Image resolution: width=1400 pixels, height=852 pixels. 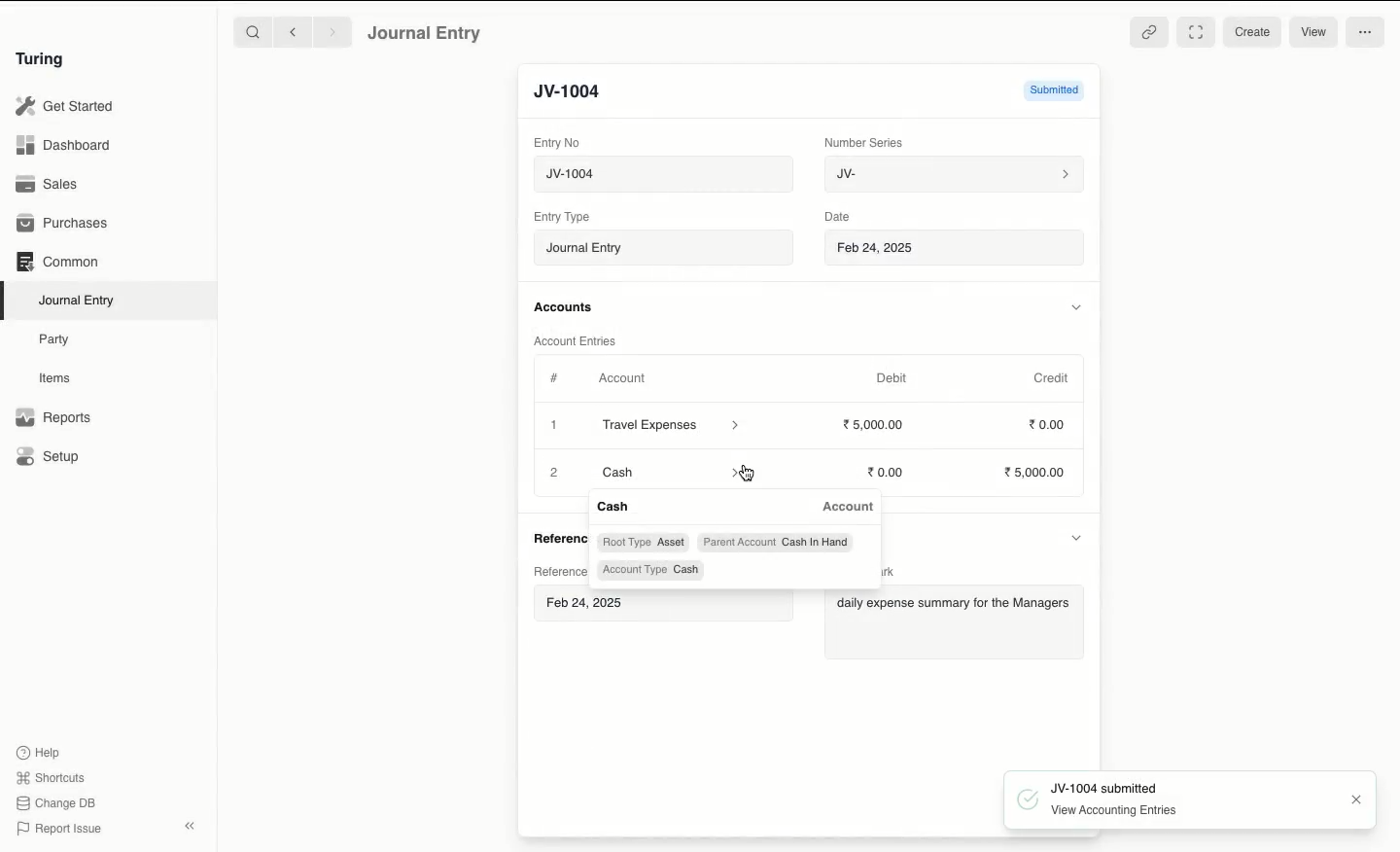 I want to click on New Journal Entry 01, so click(x=662, y=173).